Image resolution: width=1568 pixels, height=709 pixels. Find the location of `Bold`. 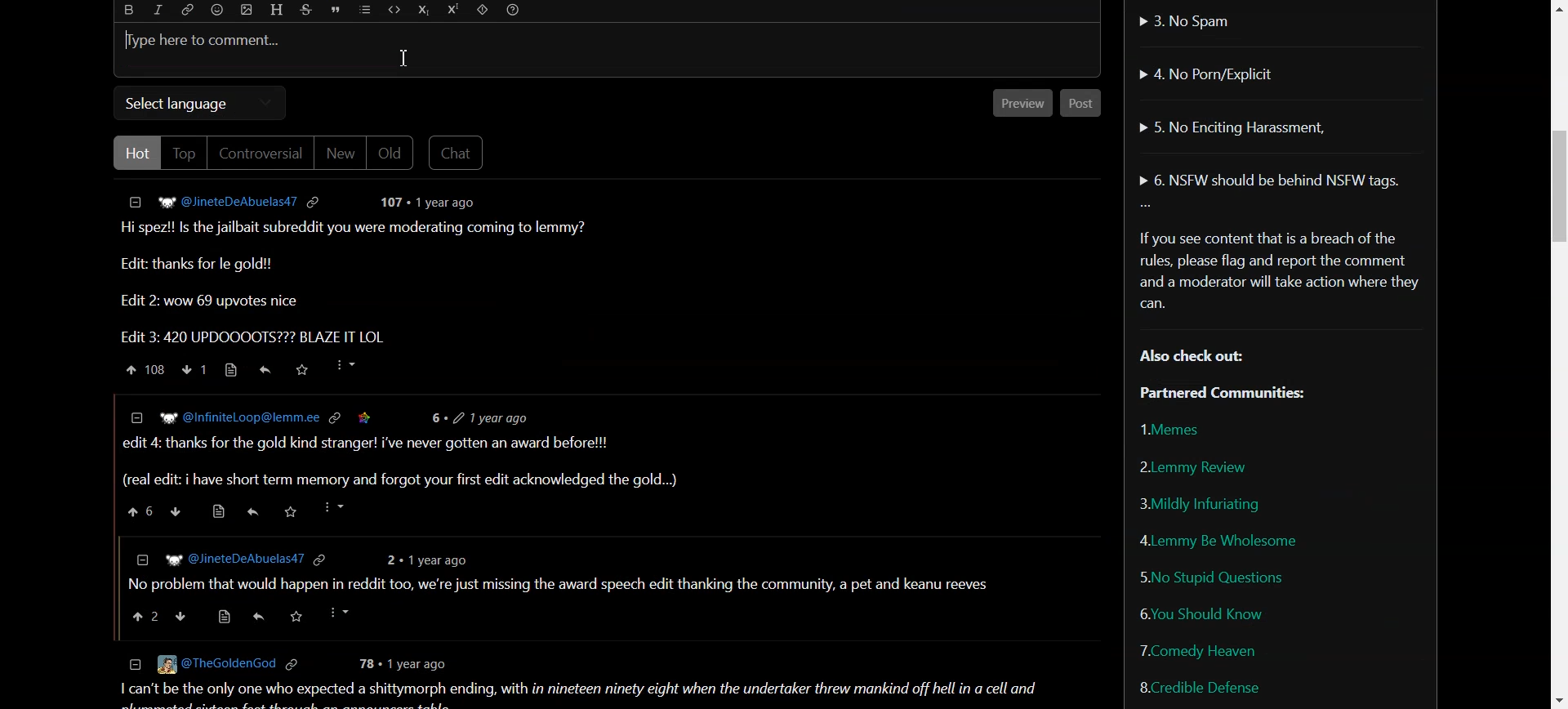

Bold is located at coordinates (130, 10).